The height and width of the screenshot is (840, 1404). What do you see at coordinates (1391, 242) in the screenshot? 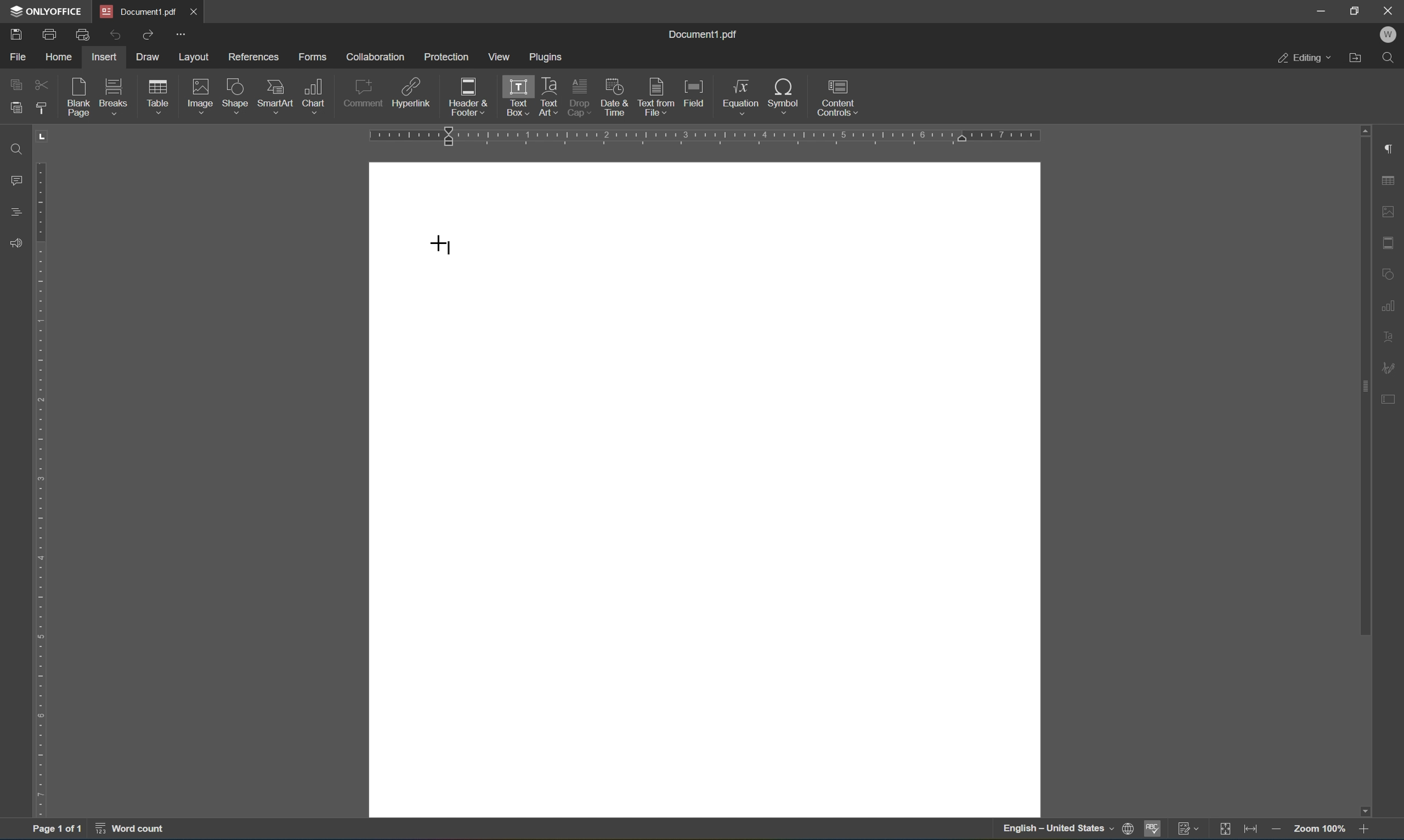
I see `Header and footer settings` at bounding box center [1391, 242].